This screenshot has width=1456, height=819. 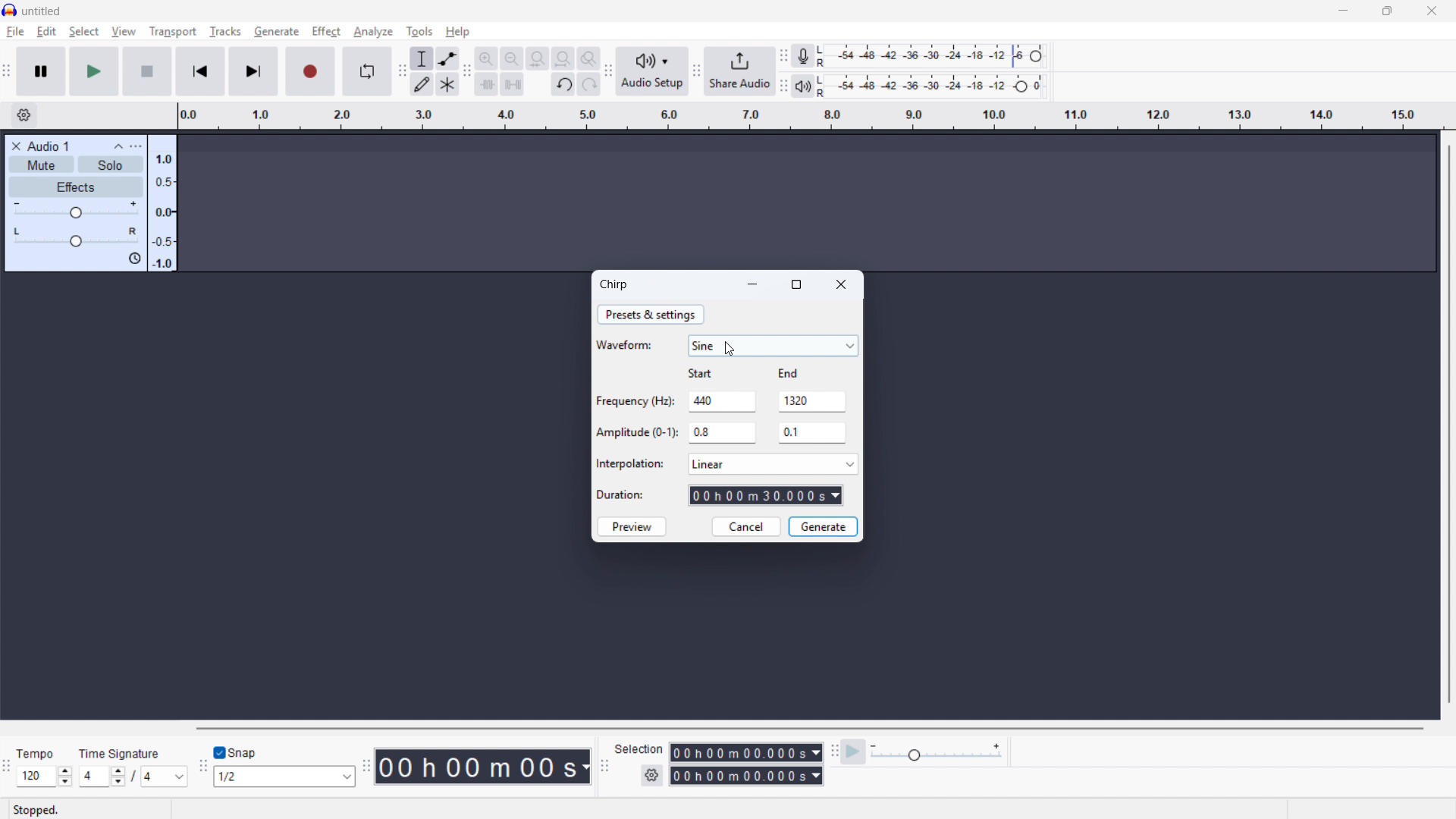 I want to click on minimise , so click(x=1345, y=11).